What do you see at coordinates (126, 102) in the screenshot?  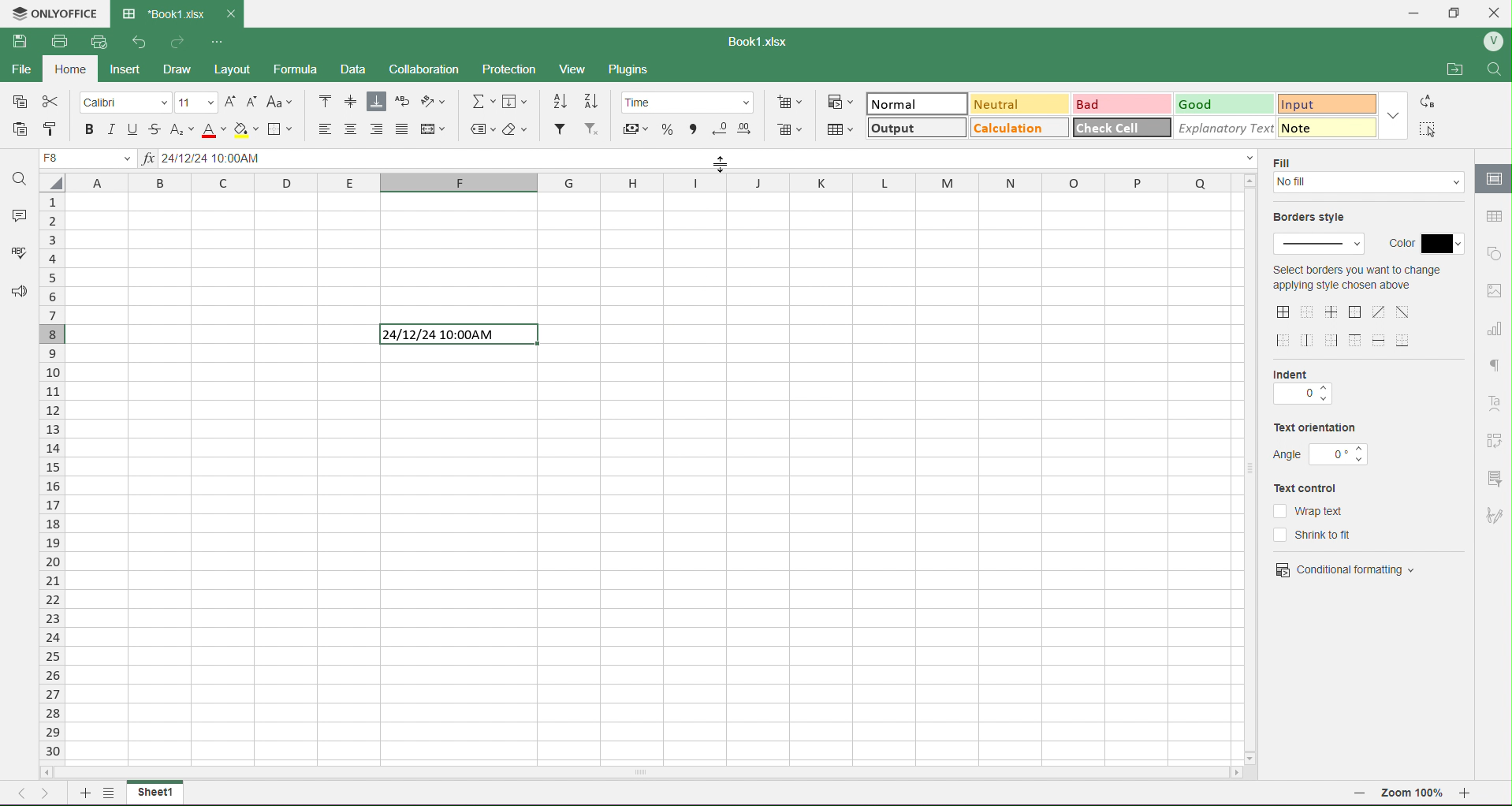 I see `Font Style` at bounding box center [126, 102].